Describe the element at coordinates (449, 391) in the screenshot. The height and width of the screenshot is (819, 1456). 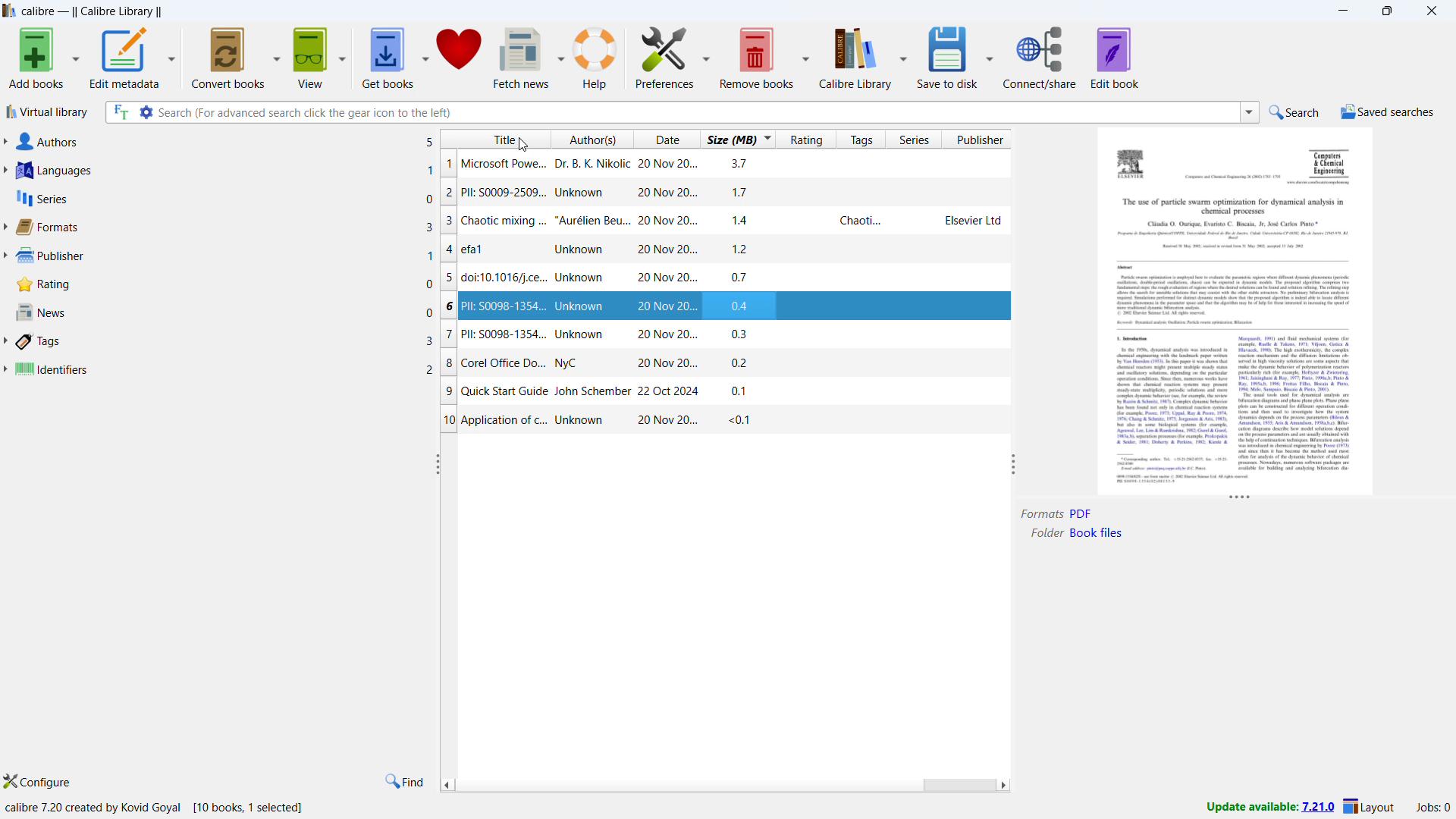
I see `9` at that location.